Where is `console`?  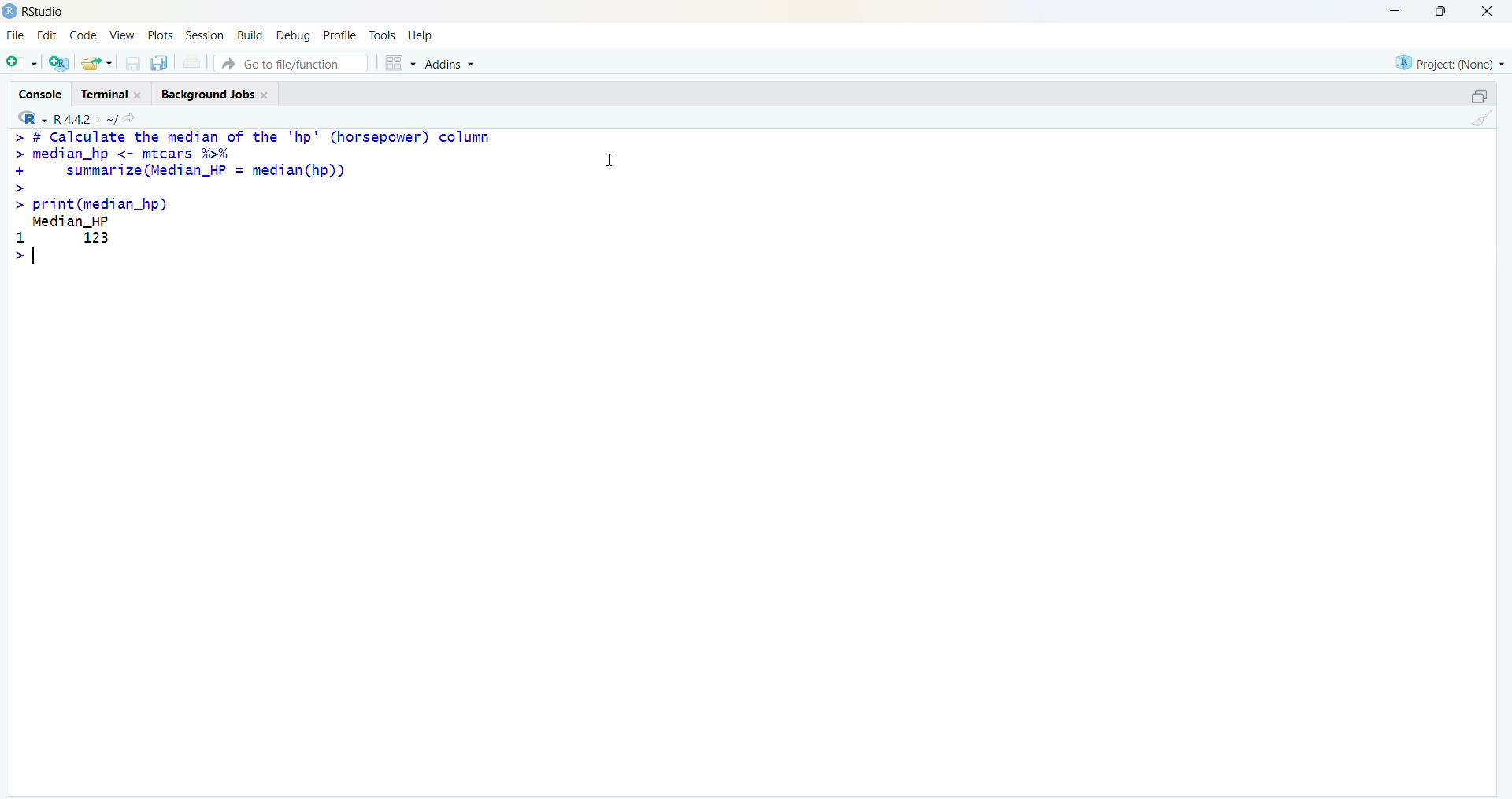
console is located at coordinates (42, 95).